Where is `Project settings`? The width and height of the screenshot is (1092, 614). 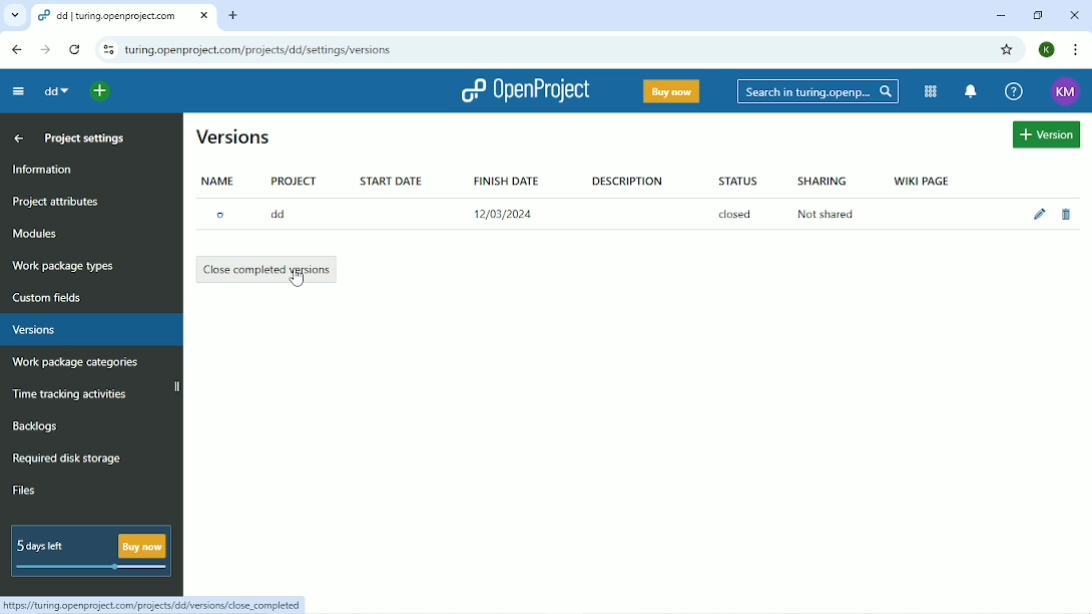
Project settings is located at coordinates (88, 140).